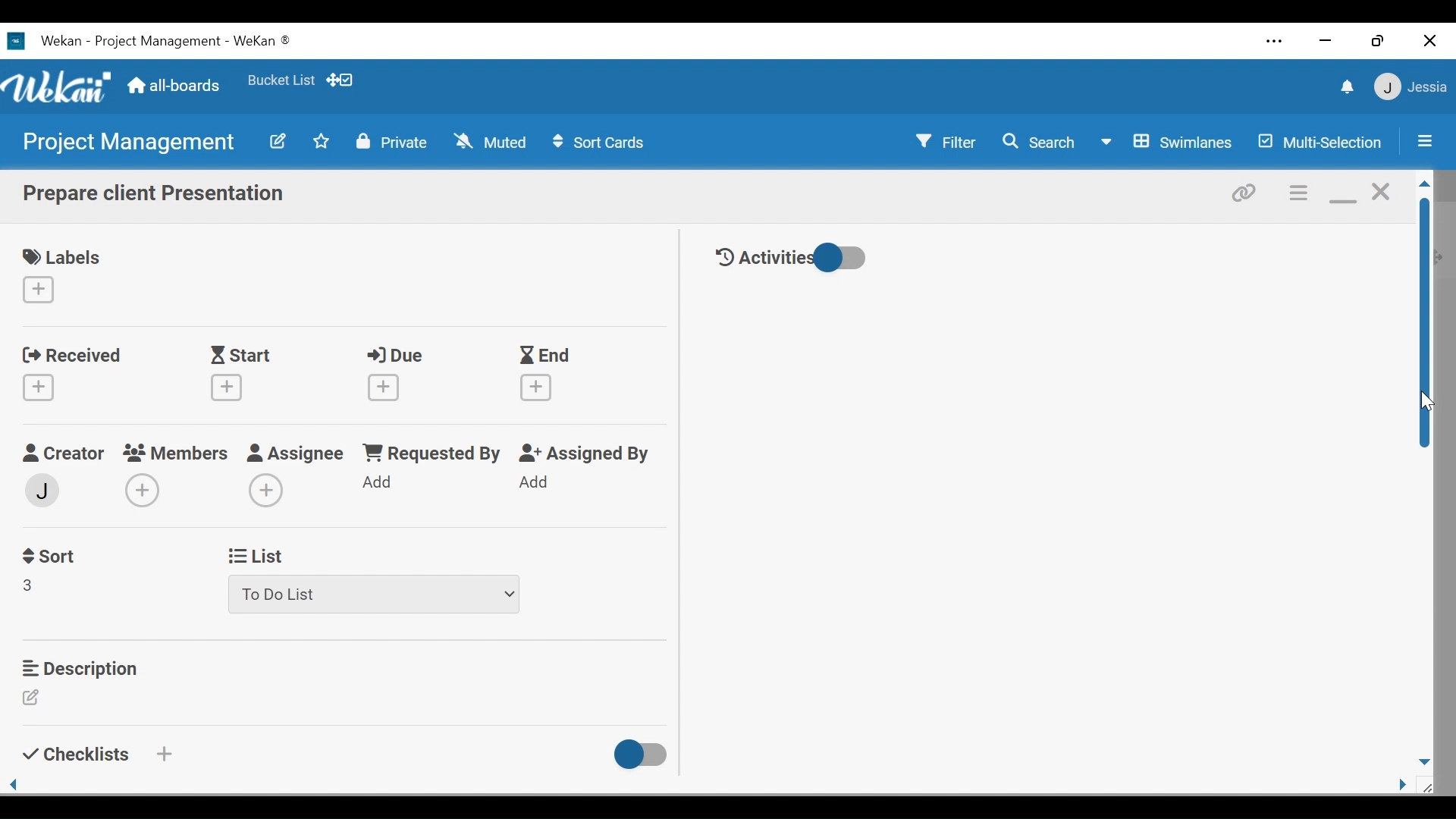 Image resolution: width=1456 pixels, height=819 pixels. I want to click on Wekan Desktop icon, so click(161, 43).